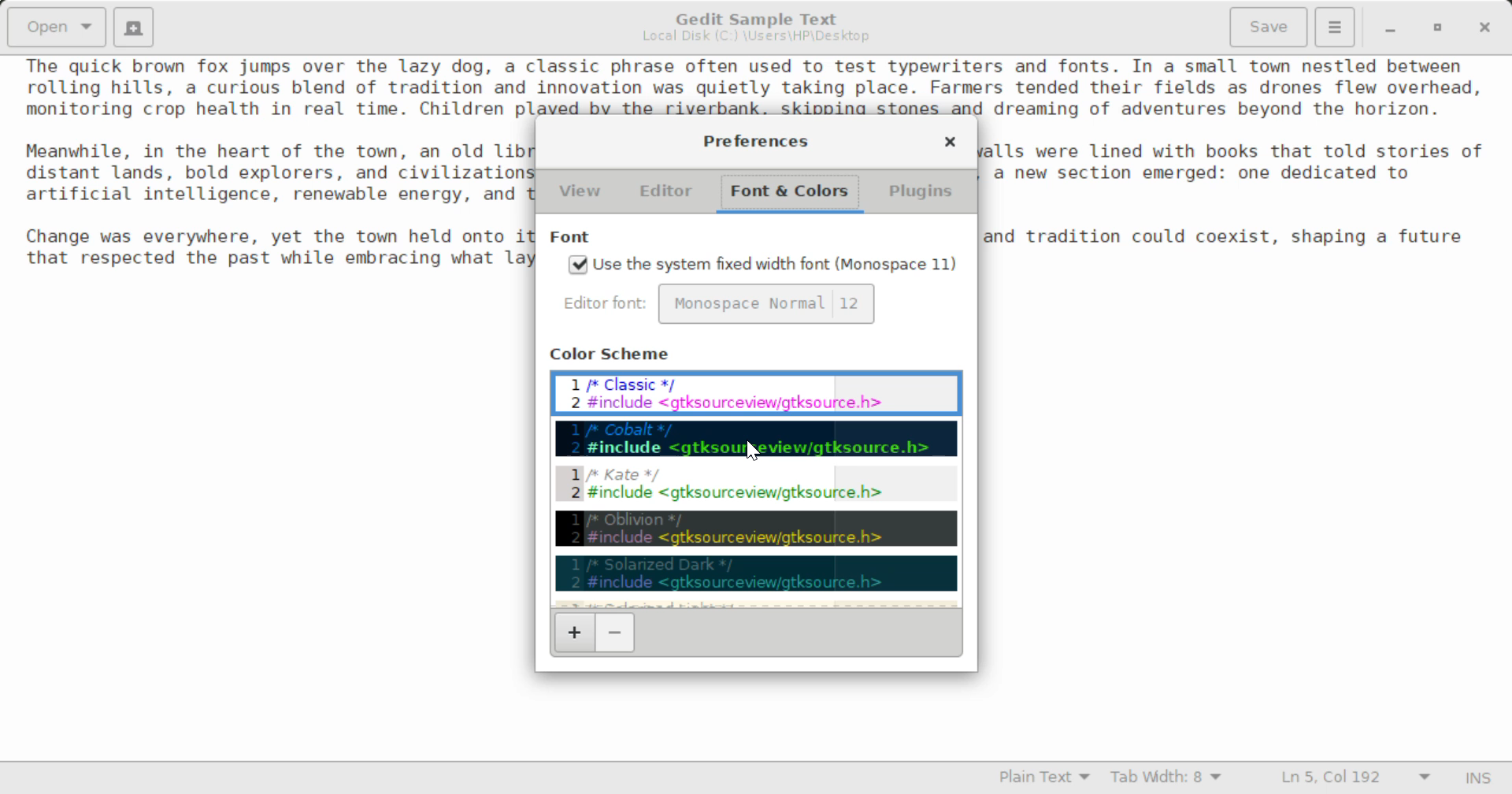  Describe the element at coordinates (573, 633) in the screenshot. I see `Add Scheme` at that location.